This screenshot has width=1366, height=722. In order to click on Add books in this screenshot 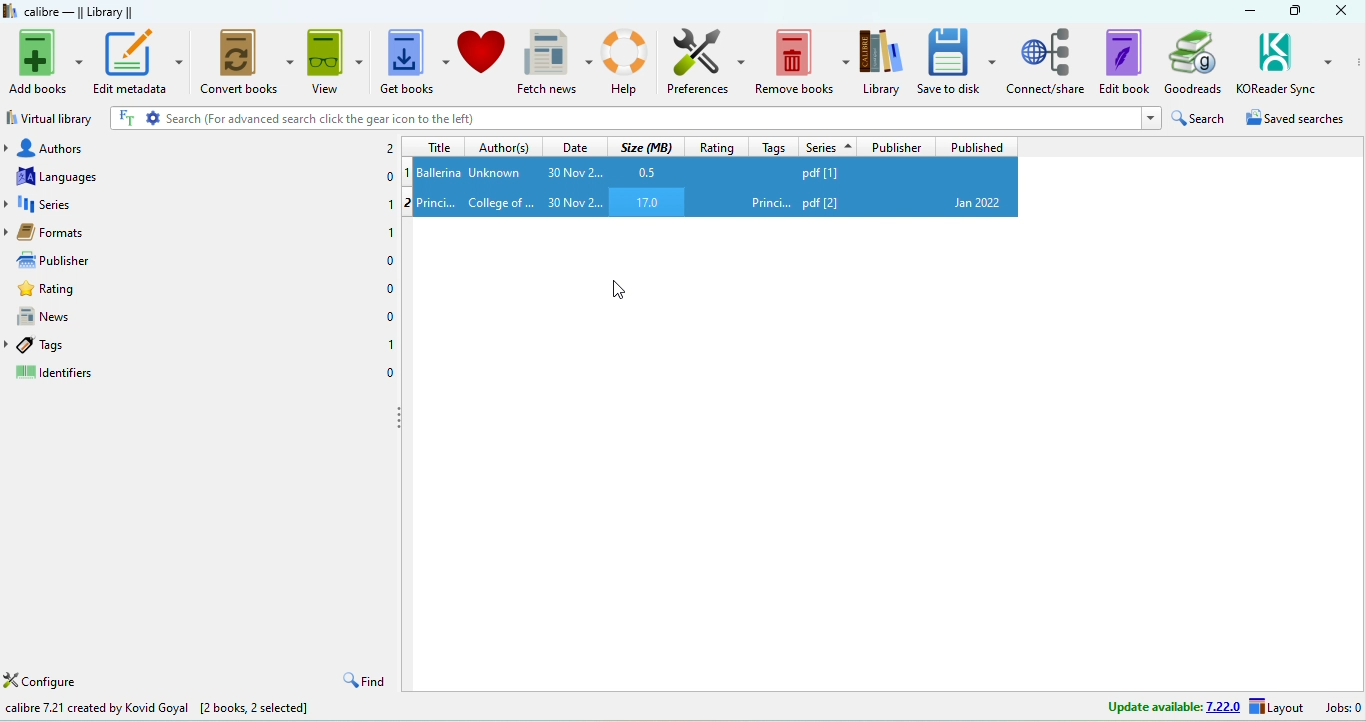, I will do `click(43, 61)`.